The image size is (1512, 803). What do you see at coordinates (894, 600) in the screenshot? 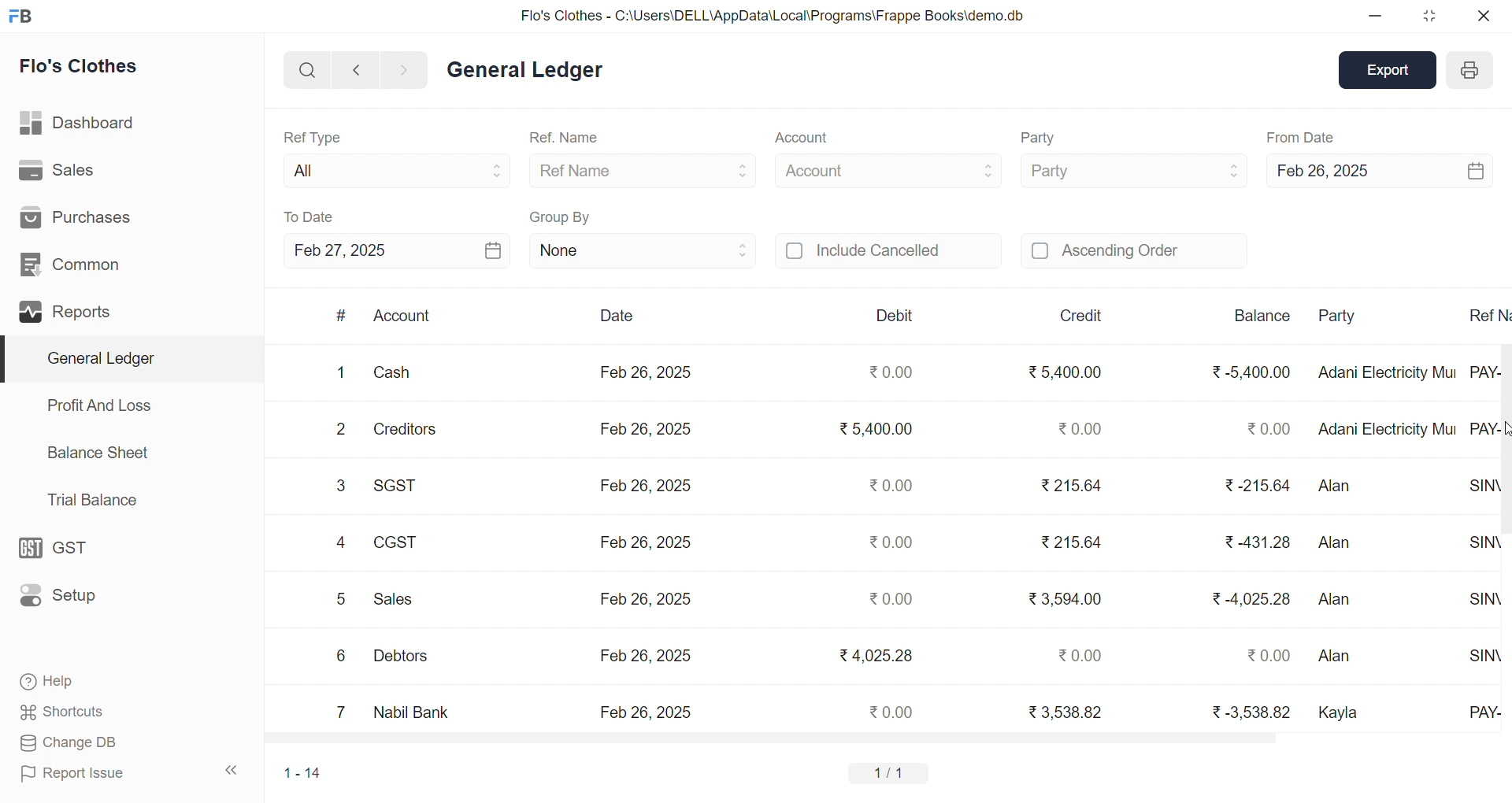
I see `₹0.00` at bounding box center [894, 600].